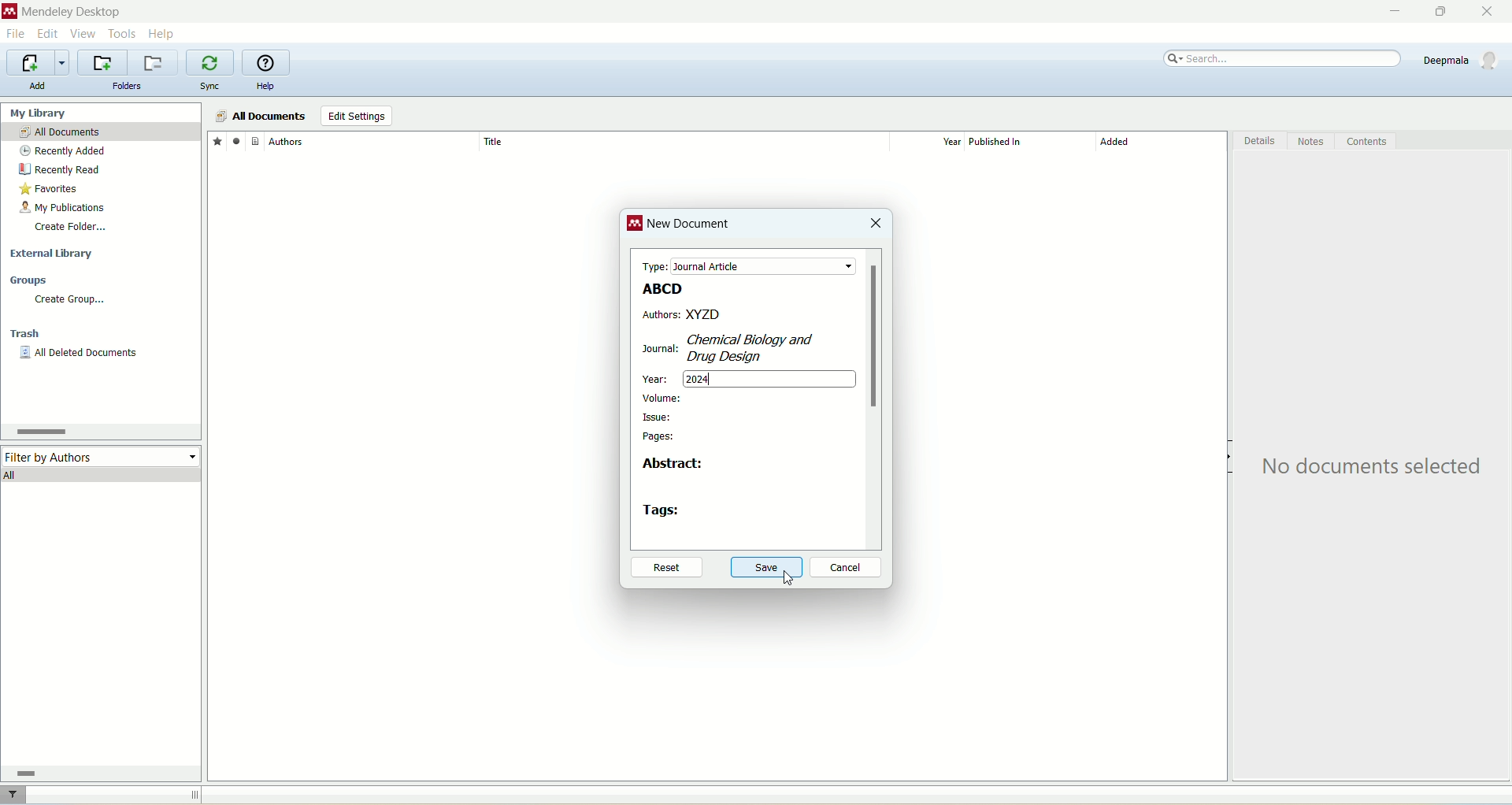  What do you see at coordinates (128, 87) in the screenshot?
I see `folders` at bounding box center [128, 87].